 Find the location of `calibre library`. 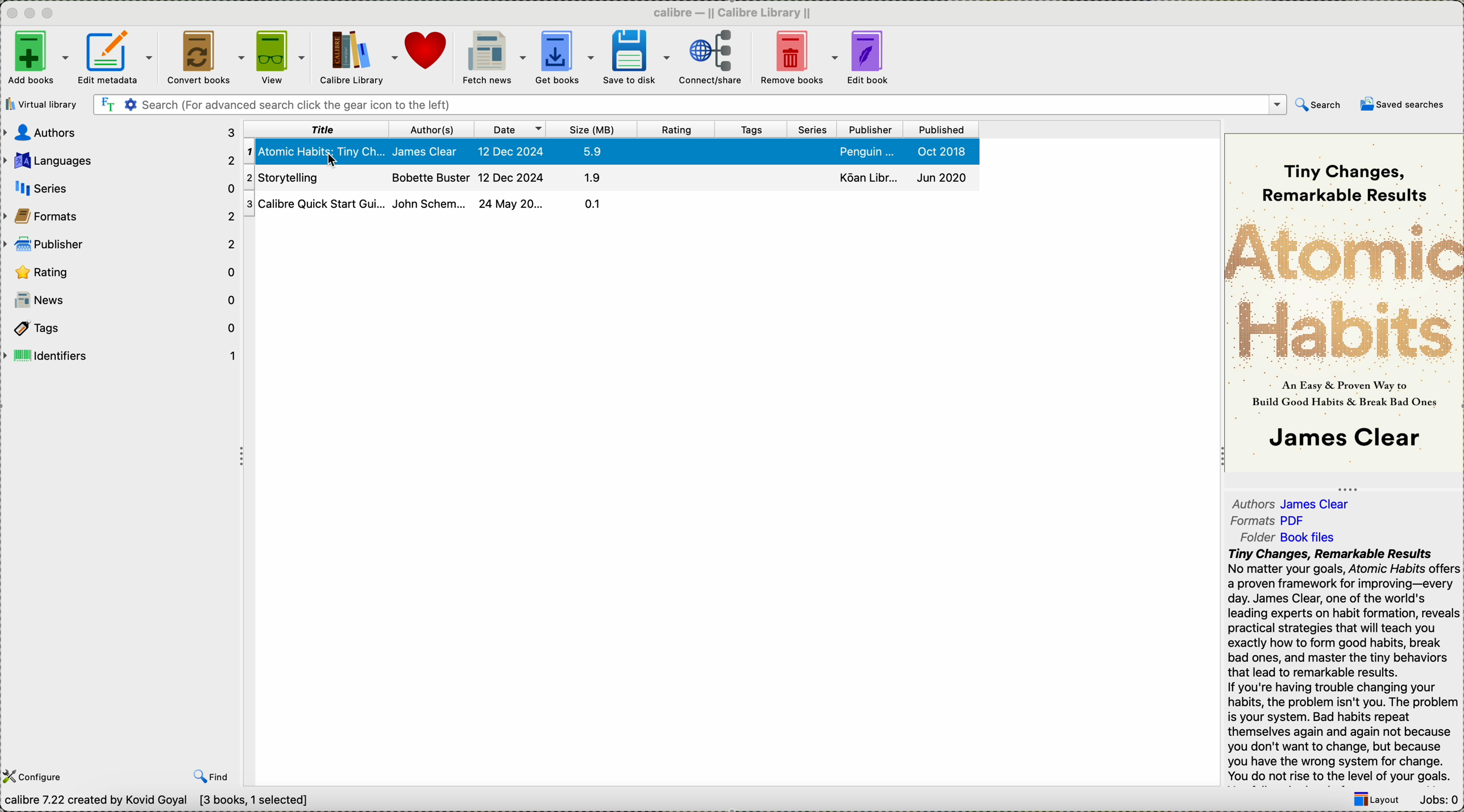

calibre library is located at coordinates (359, 59).